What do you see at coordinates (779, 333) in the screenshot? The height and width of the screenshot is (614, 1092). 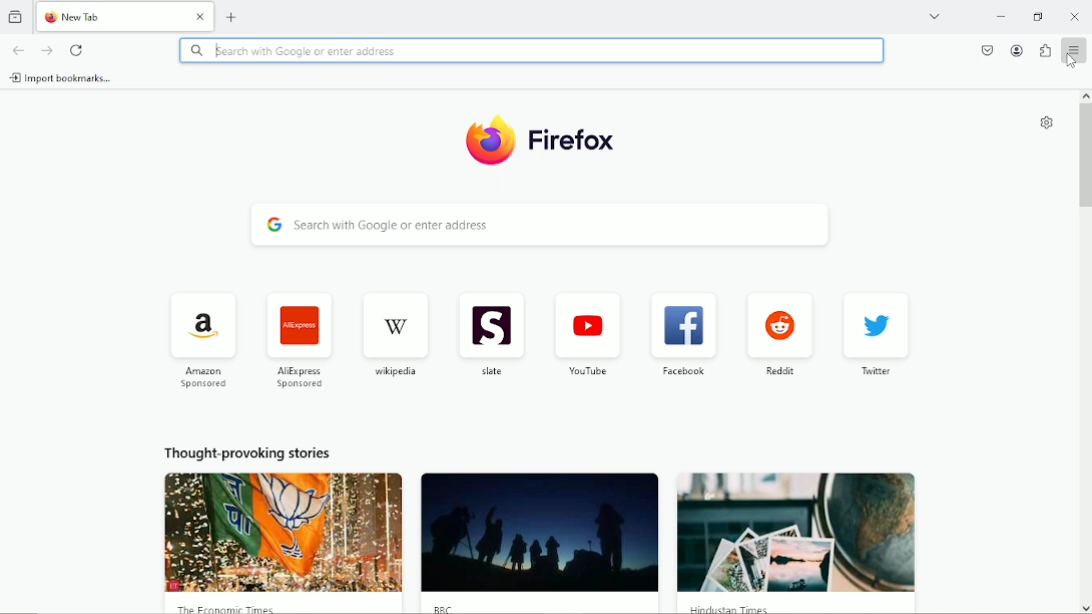 I see `reddit` at bounding box center [779, 333].